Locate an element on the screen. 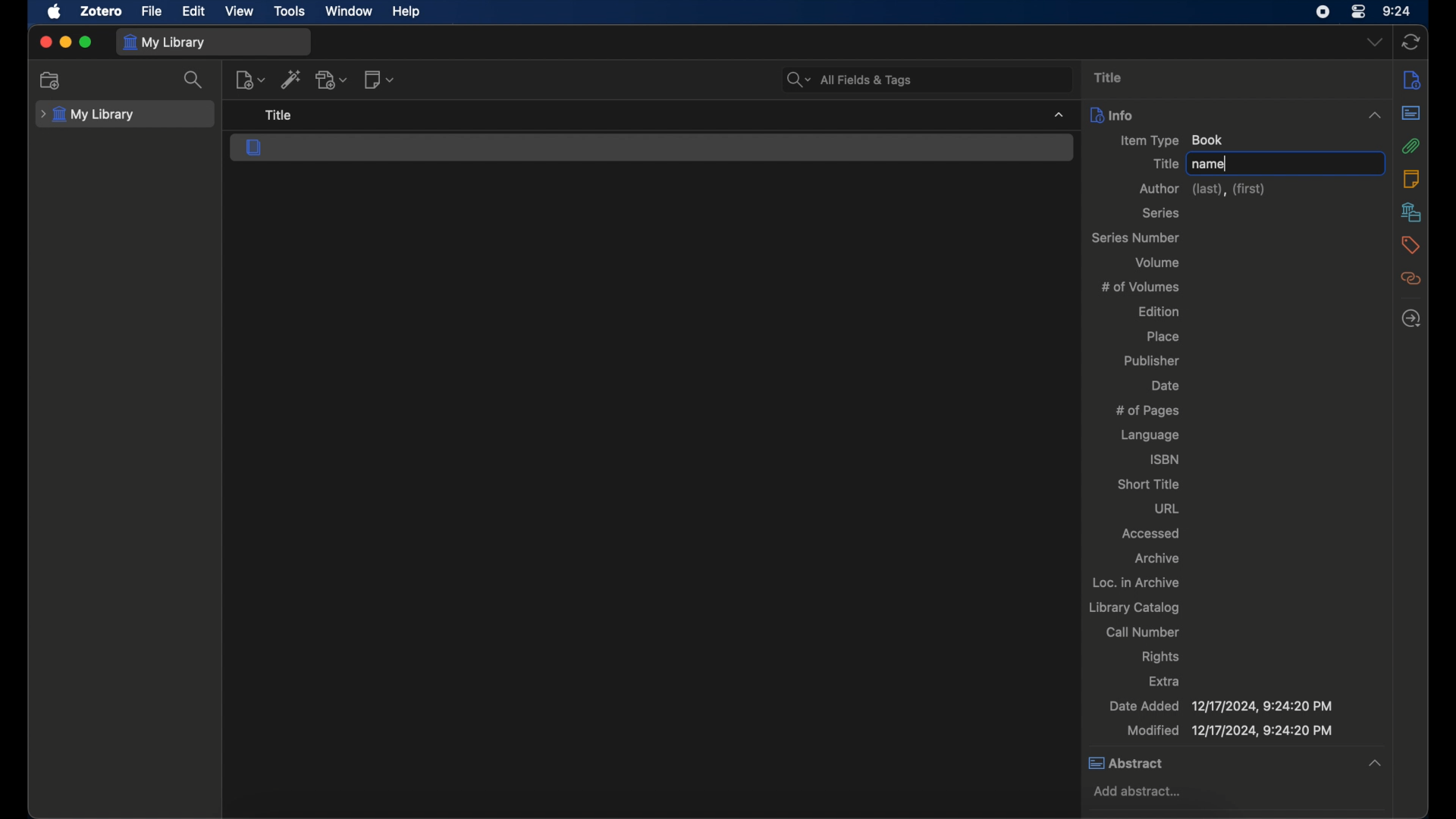  notes is located at coordinates (1411, 177).